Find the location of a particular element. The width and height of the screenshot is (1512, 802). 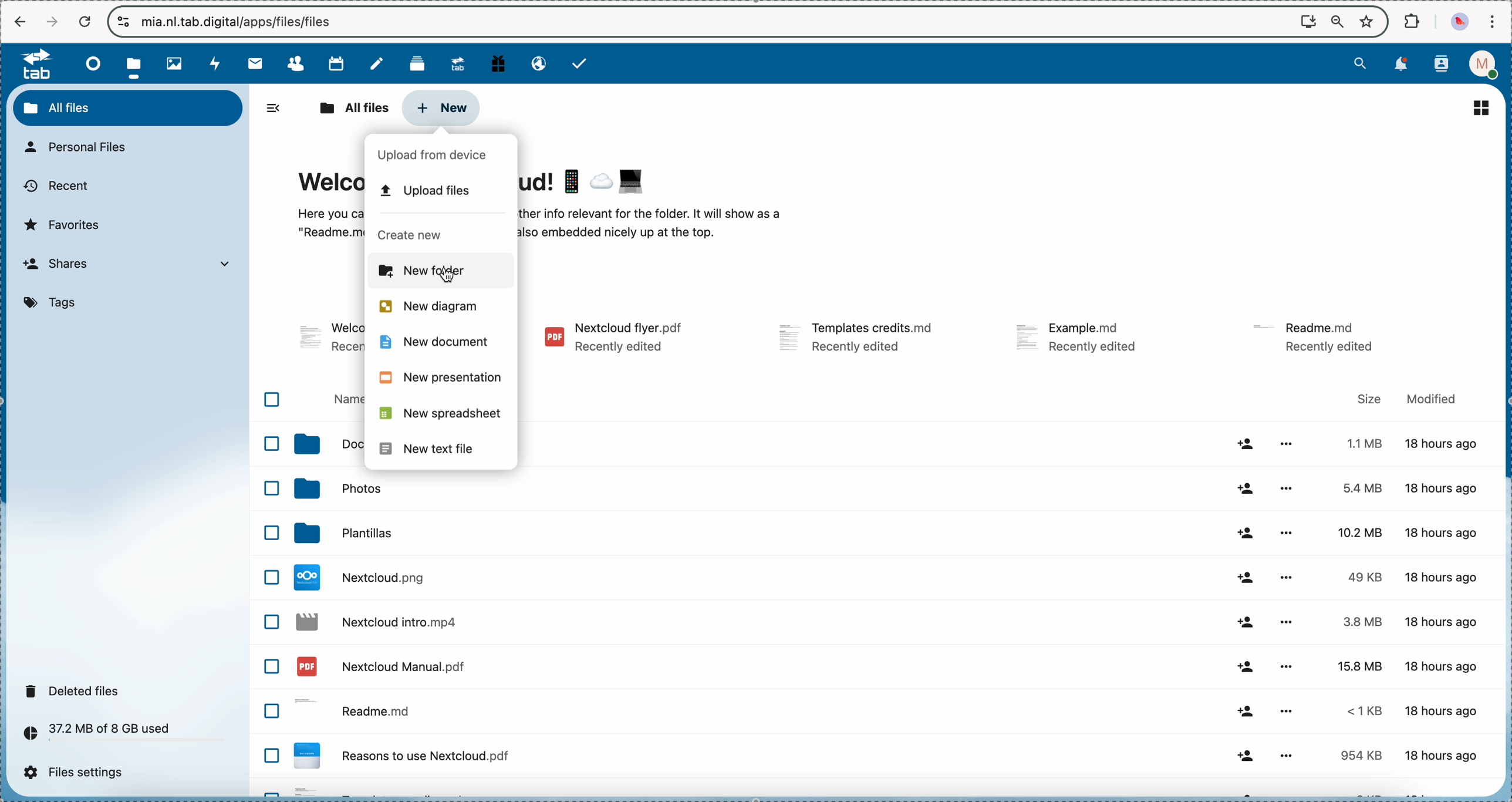

contacts is located at coordinates (1442, 65).